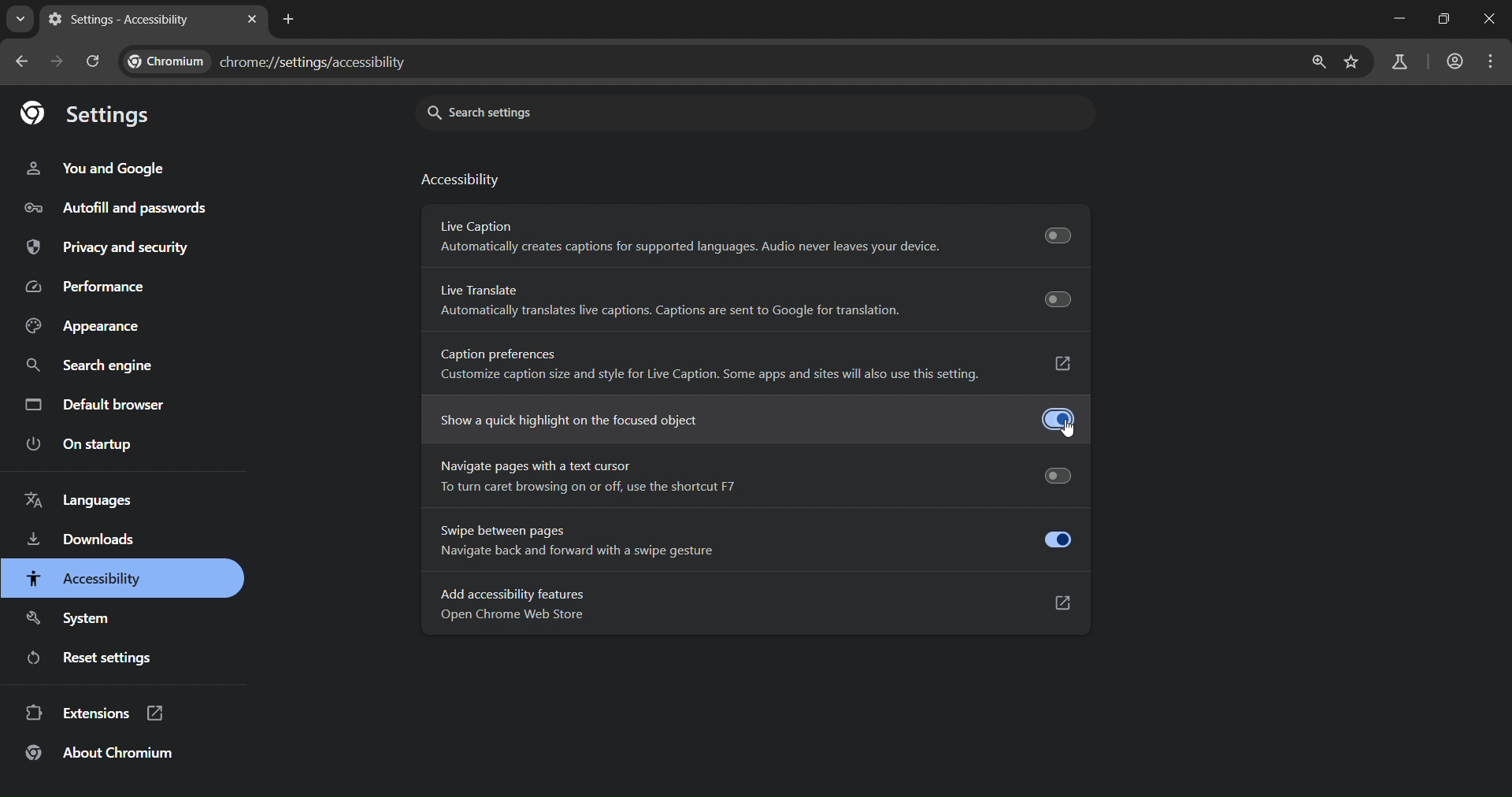 This screenshot has width=1512, height=797. What do you see at coordinates (58, 66) in the screenshot?
I see `go  forward one page` at bounding box center [58, 66].